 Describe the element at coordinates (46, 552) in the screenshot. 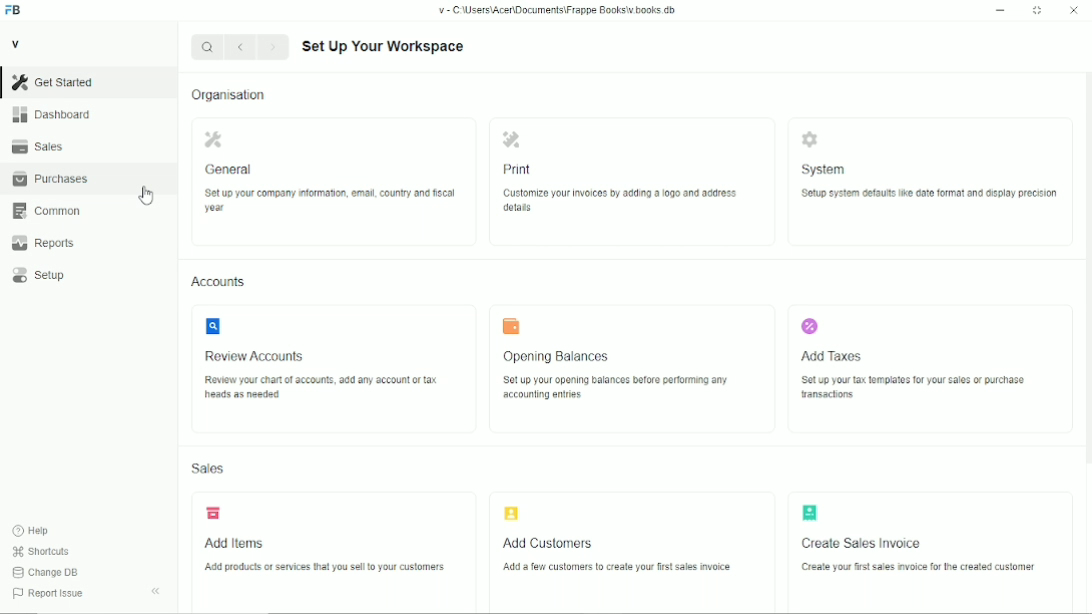

I see `Shortcuts` at that location.